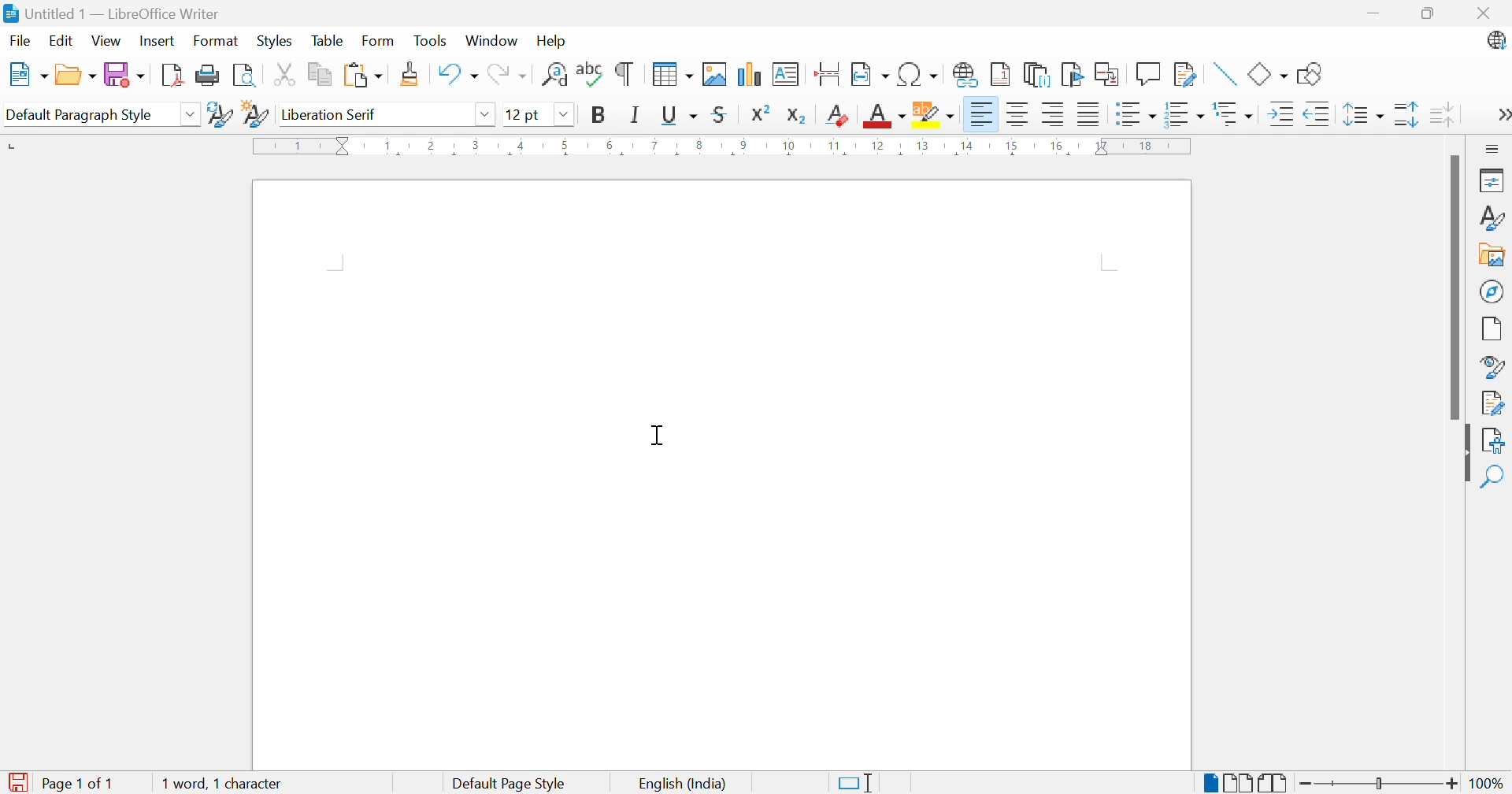 This screenshot has height=794, width=1512. What do you see at coordinates (680, 784) in the screenshot?
I see `English (India)` at bounding box center [680, 784].